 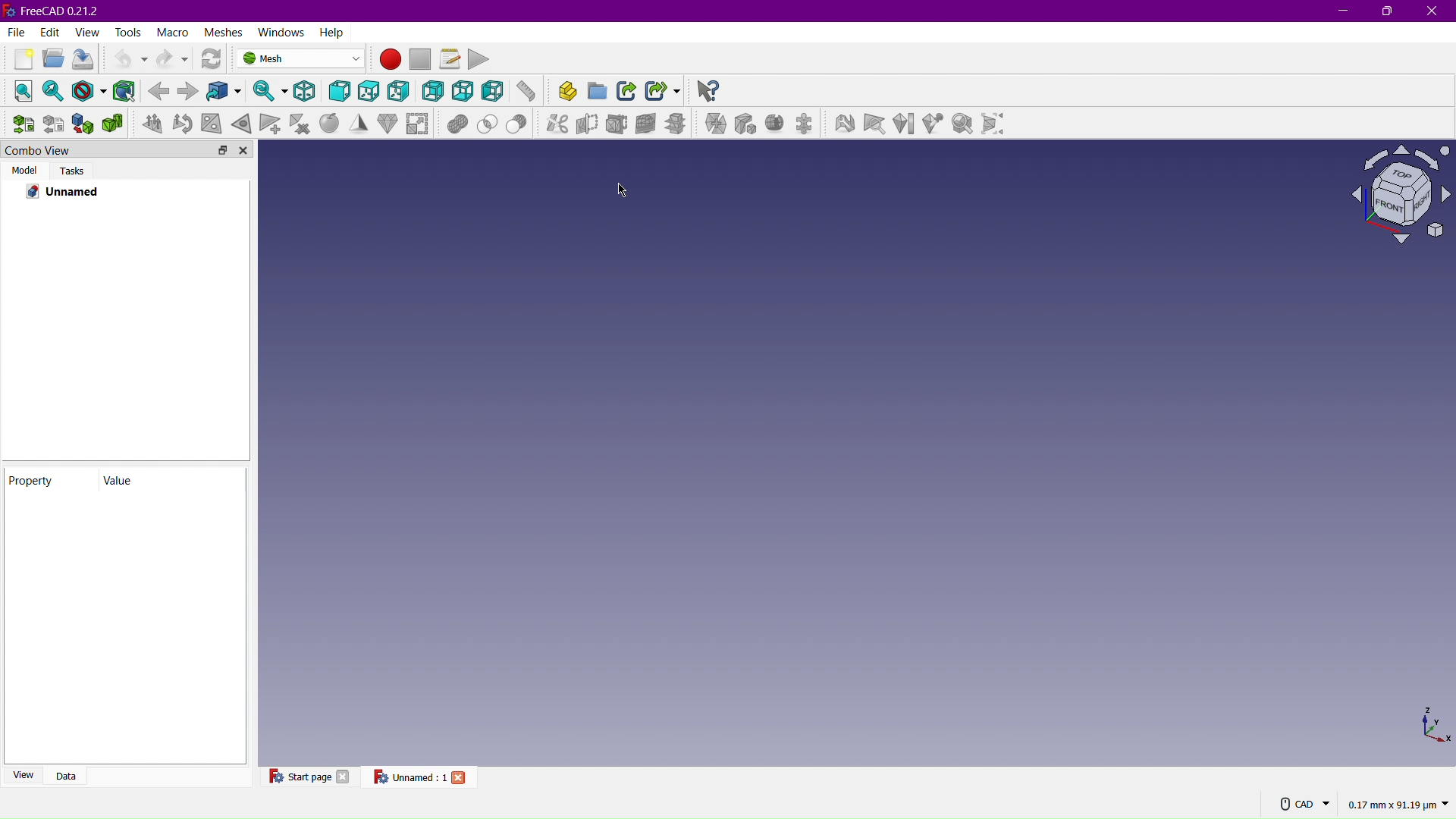 What do you see at coordinates (174, 32) in the screenshot?
I see `Macro` at bounding box center [174, 32].